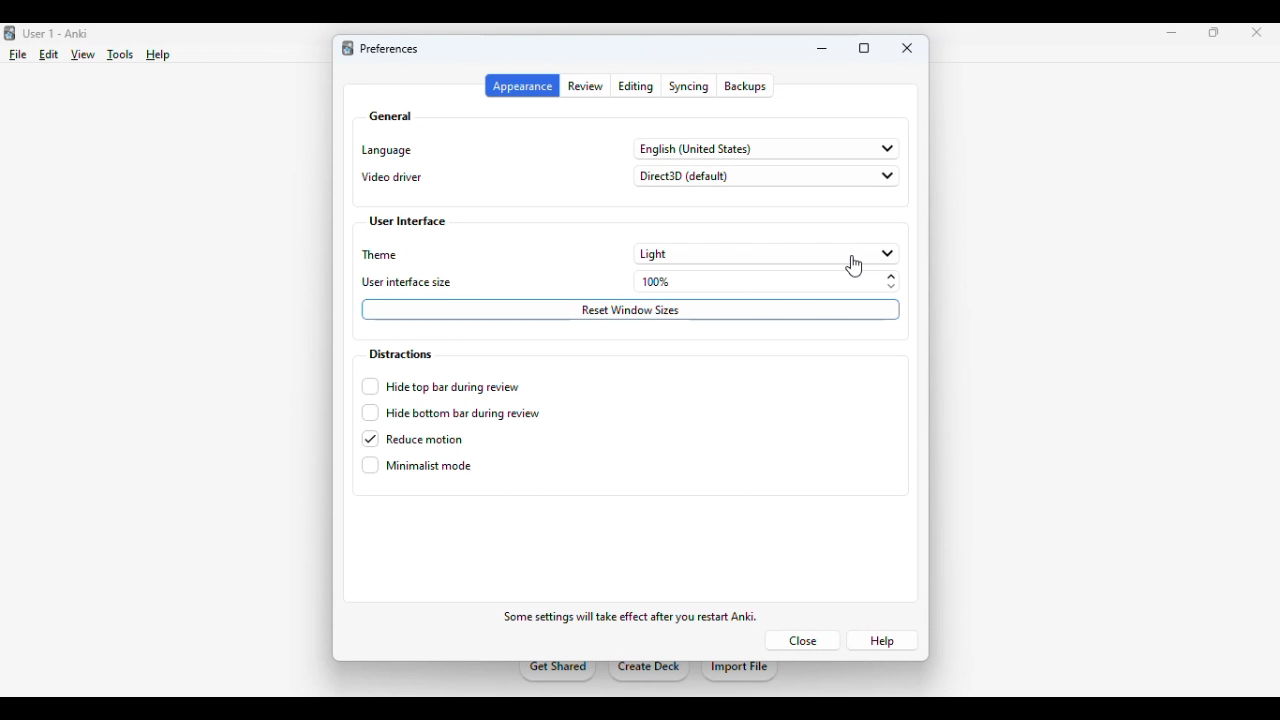 Image resolution: width=1280 pixels, height=720 pixels. What do you see at coordinates (408, 283) in the screenshot?
I see `user interface size` at bounding box center [408, 283].